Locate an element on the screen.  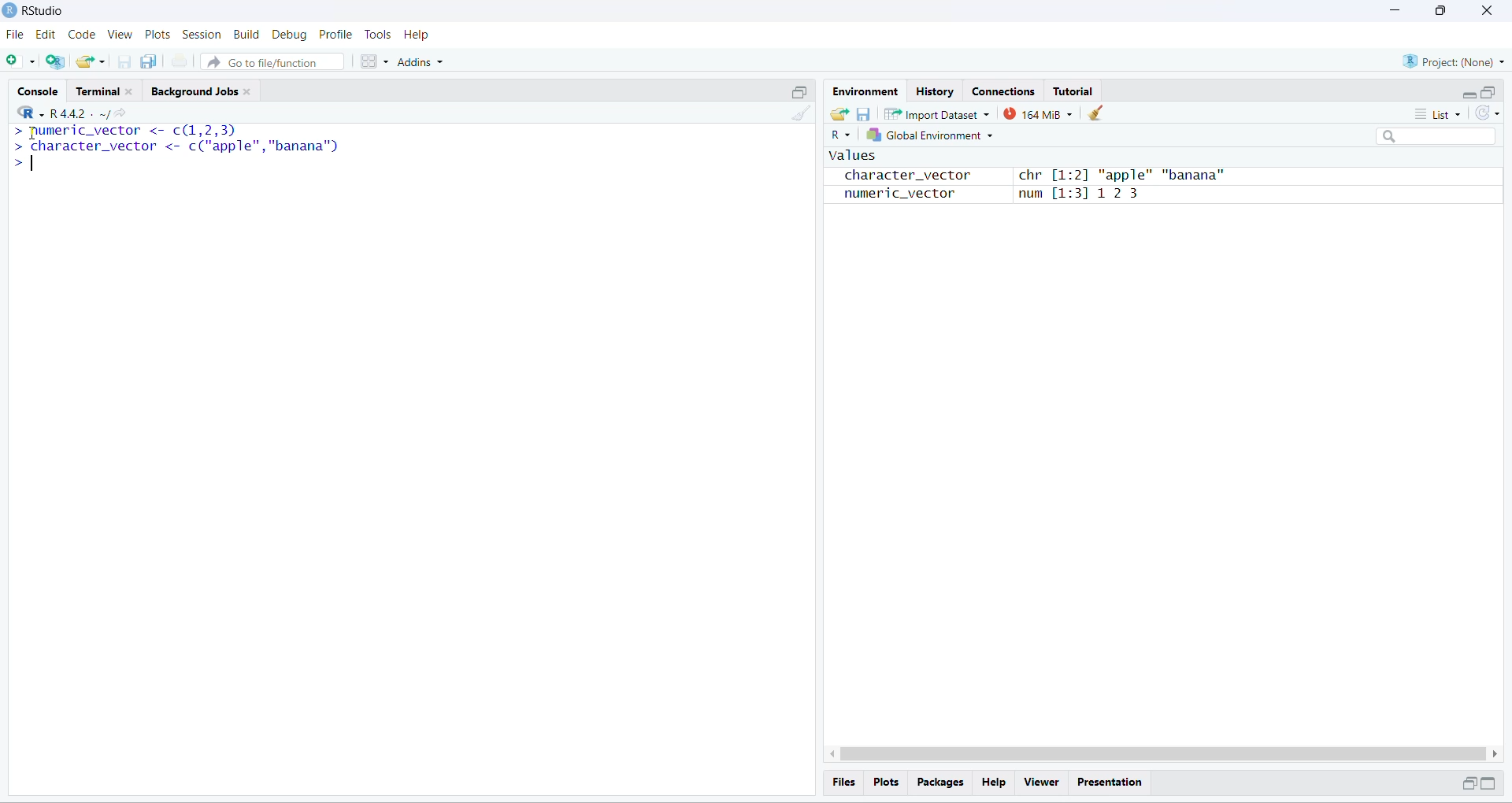
Viewer is located at coordinates (1042, 783).